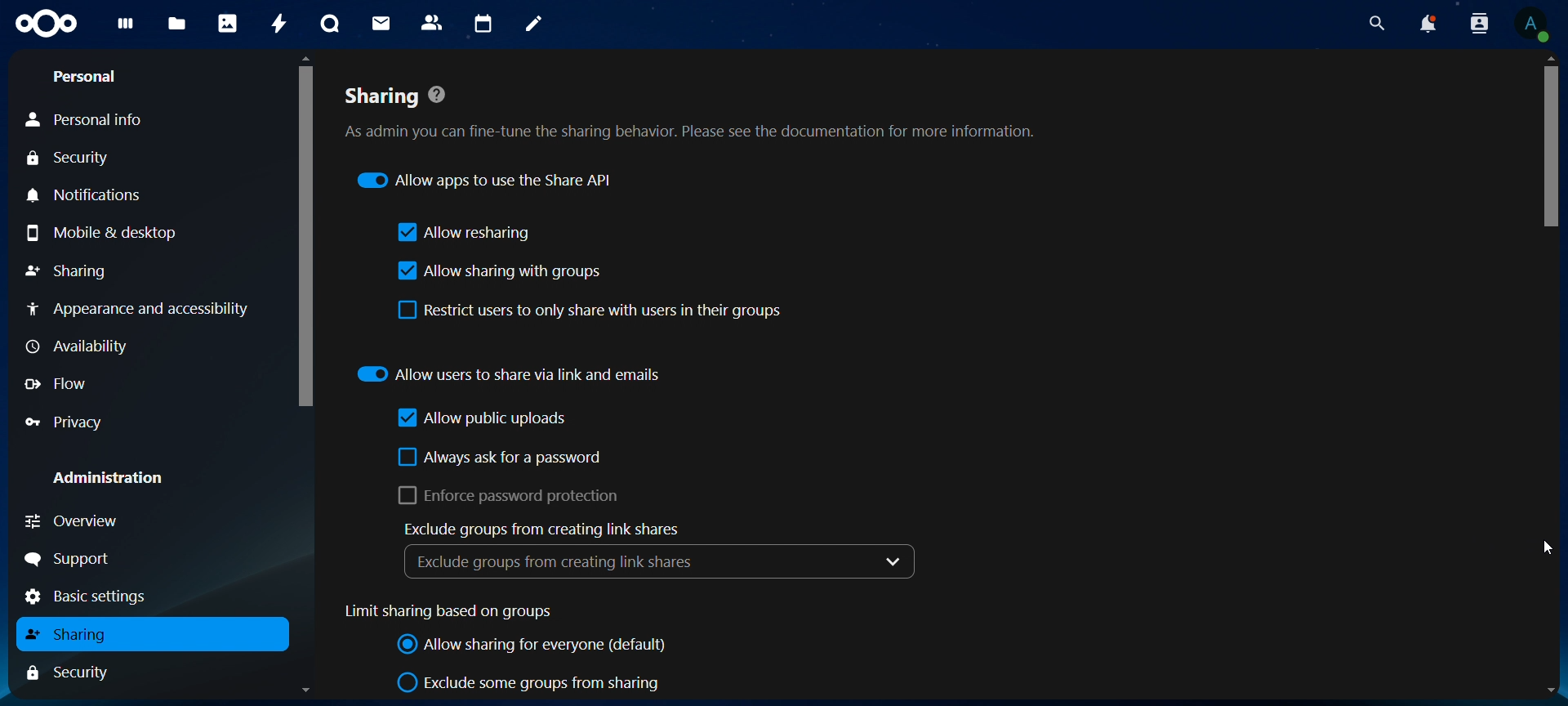 The image size is (1568, 706). I want to click on dashboard, so click(123, 29).